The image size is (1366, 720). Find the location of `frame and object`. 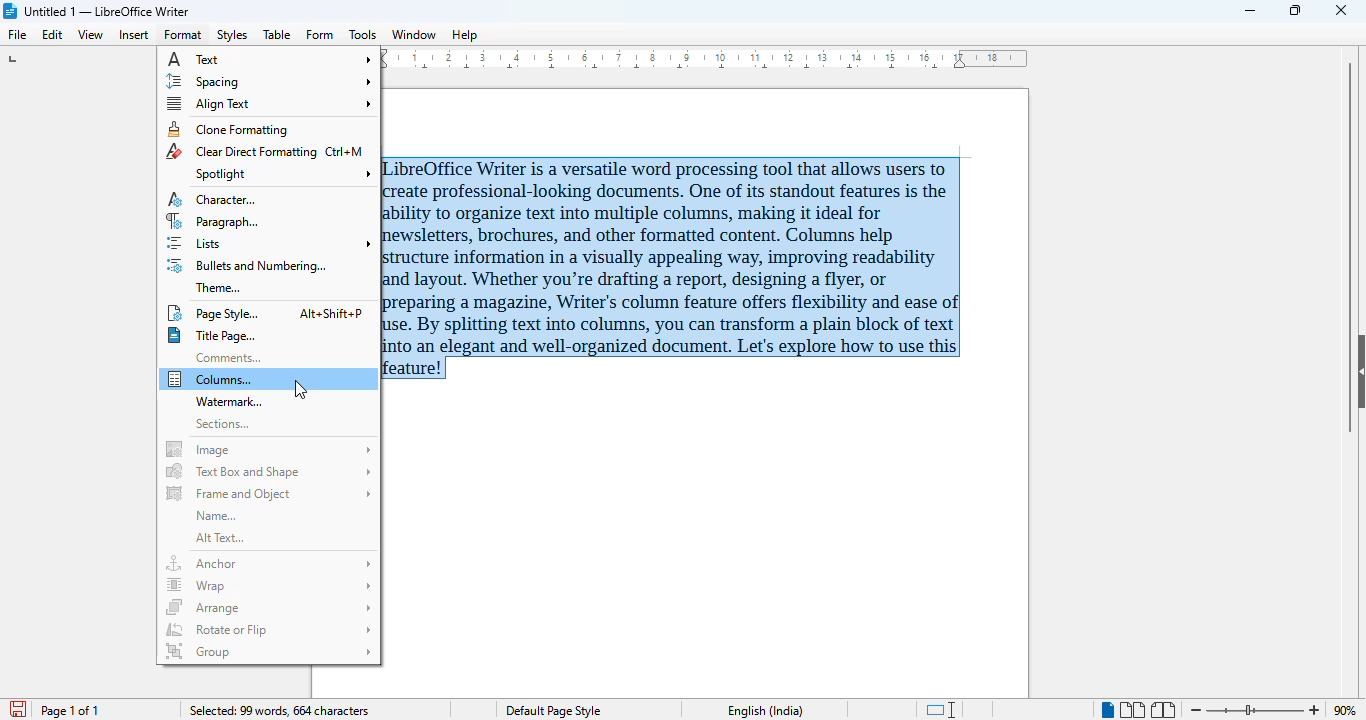

frame and object is located at coordinates (270, 493).